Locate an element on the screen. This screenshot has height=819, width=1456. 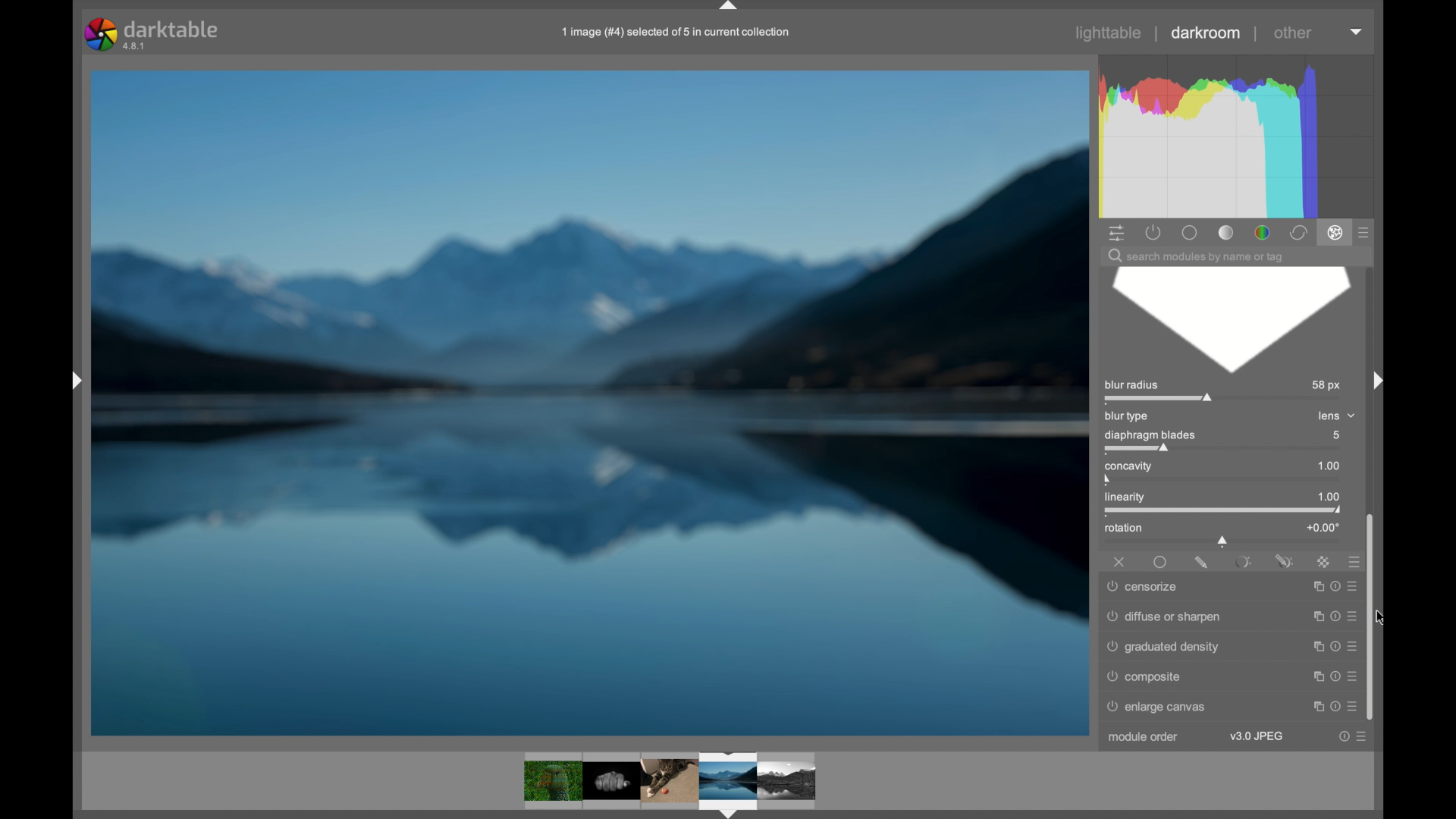
5 is located at coordinates (1341, 435).